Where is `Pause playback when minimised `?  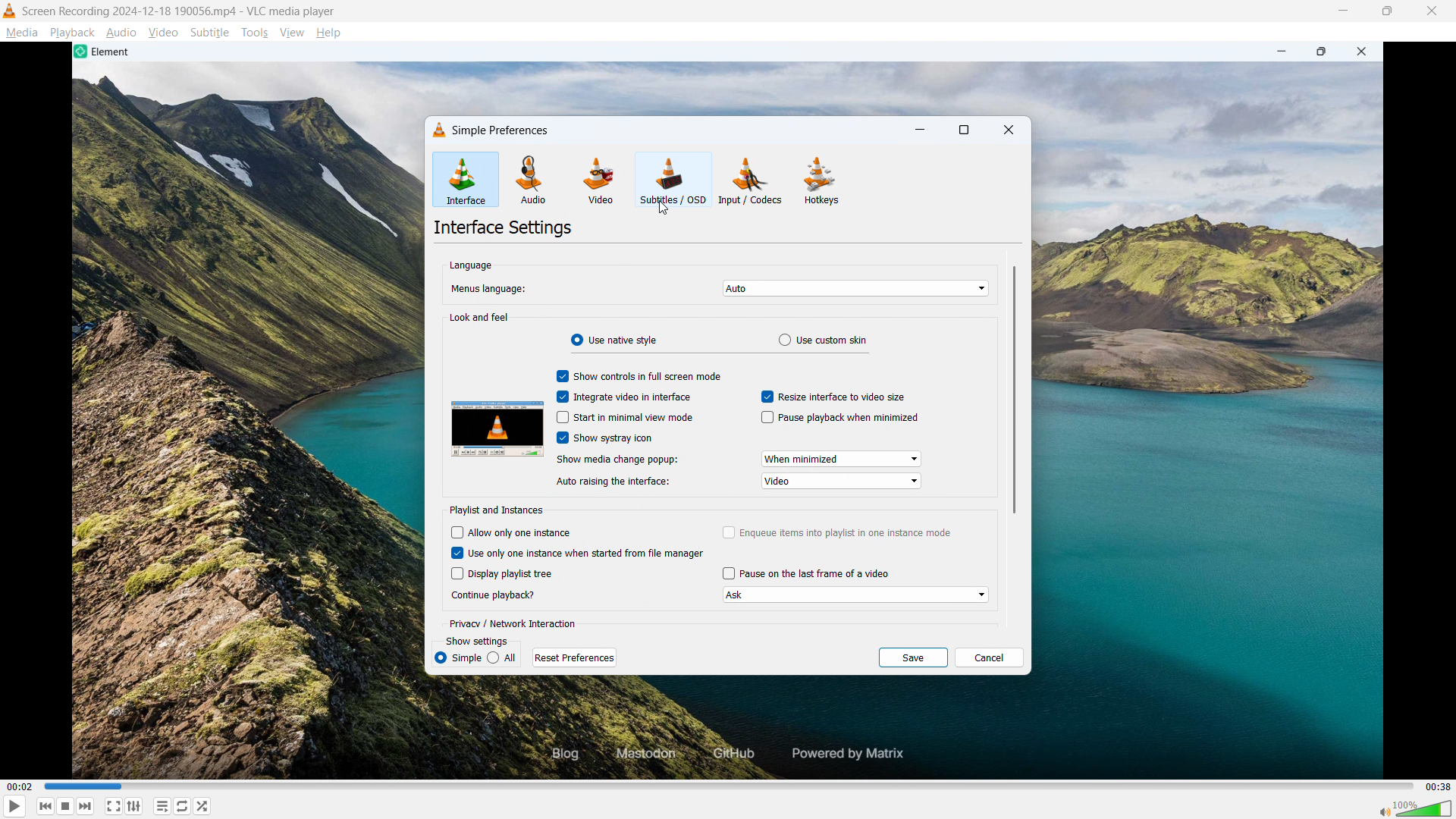
Pause playback when minimised  is located at coordinates (851, 418).